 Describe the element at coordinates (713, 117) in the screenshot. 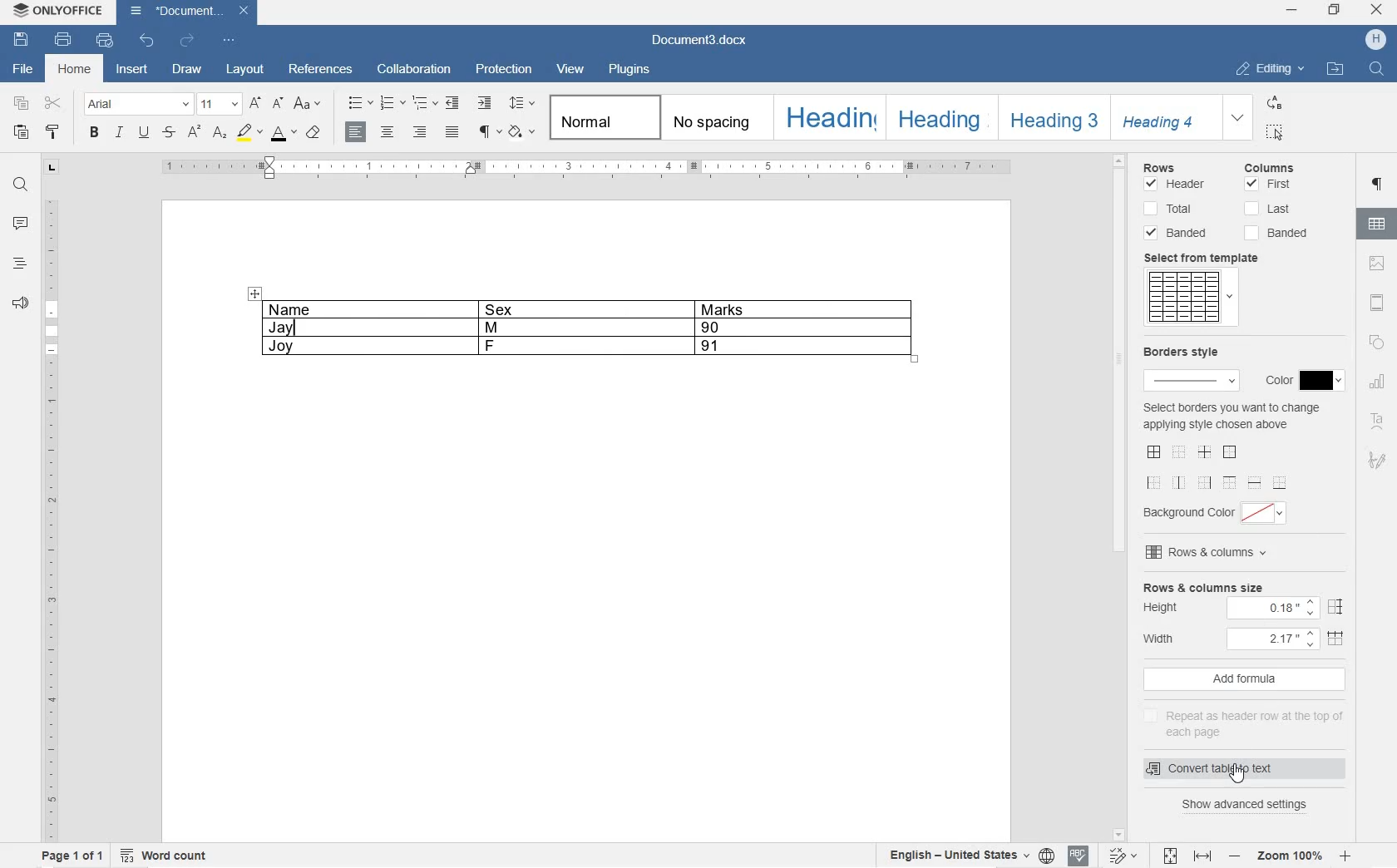

I see `NO SPACING` at that location.